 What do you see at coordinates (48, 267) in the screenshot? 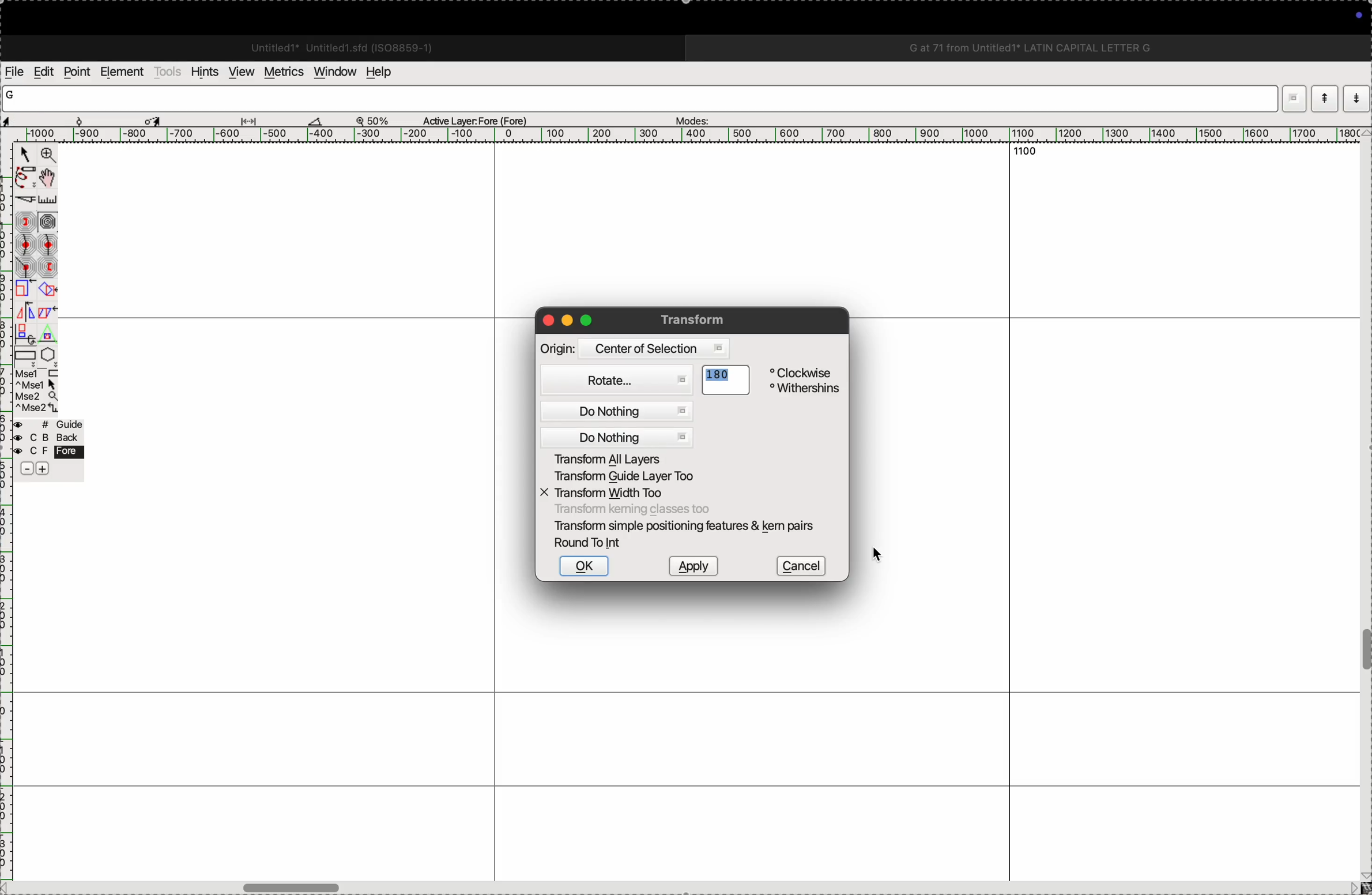
I see `previous constraint point` at bounding box center [48, 267].